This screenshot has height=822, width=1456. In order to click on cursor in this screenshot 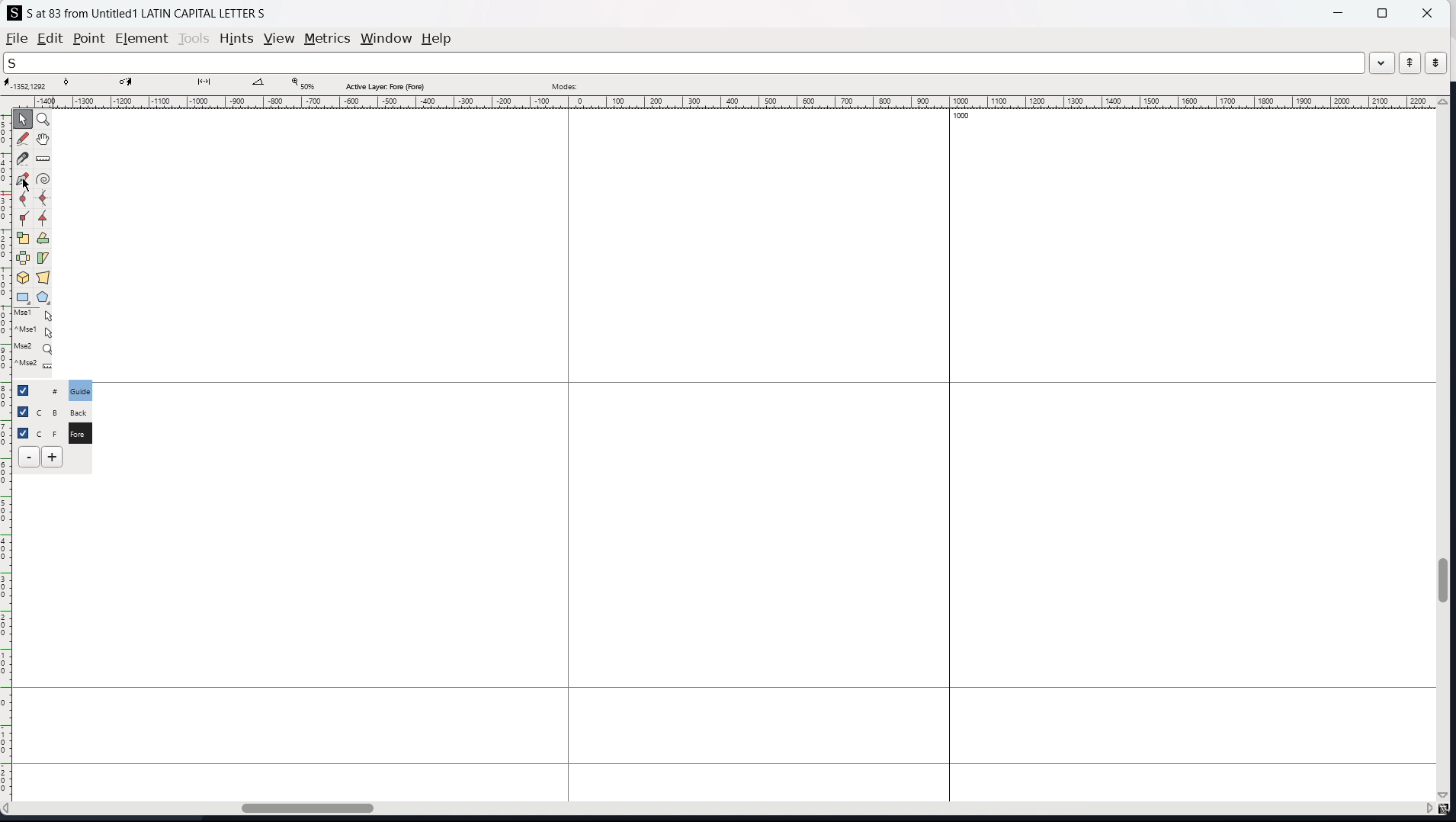, I will do `click(29, 185)`.